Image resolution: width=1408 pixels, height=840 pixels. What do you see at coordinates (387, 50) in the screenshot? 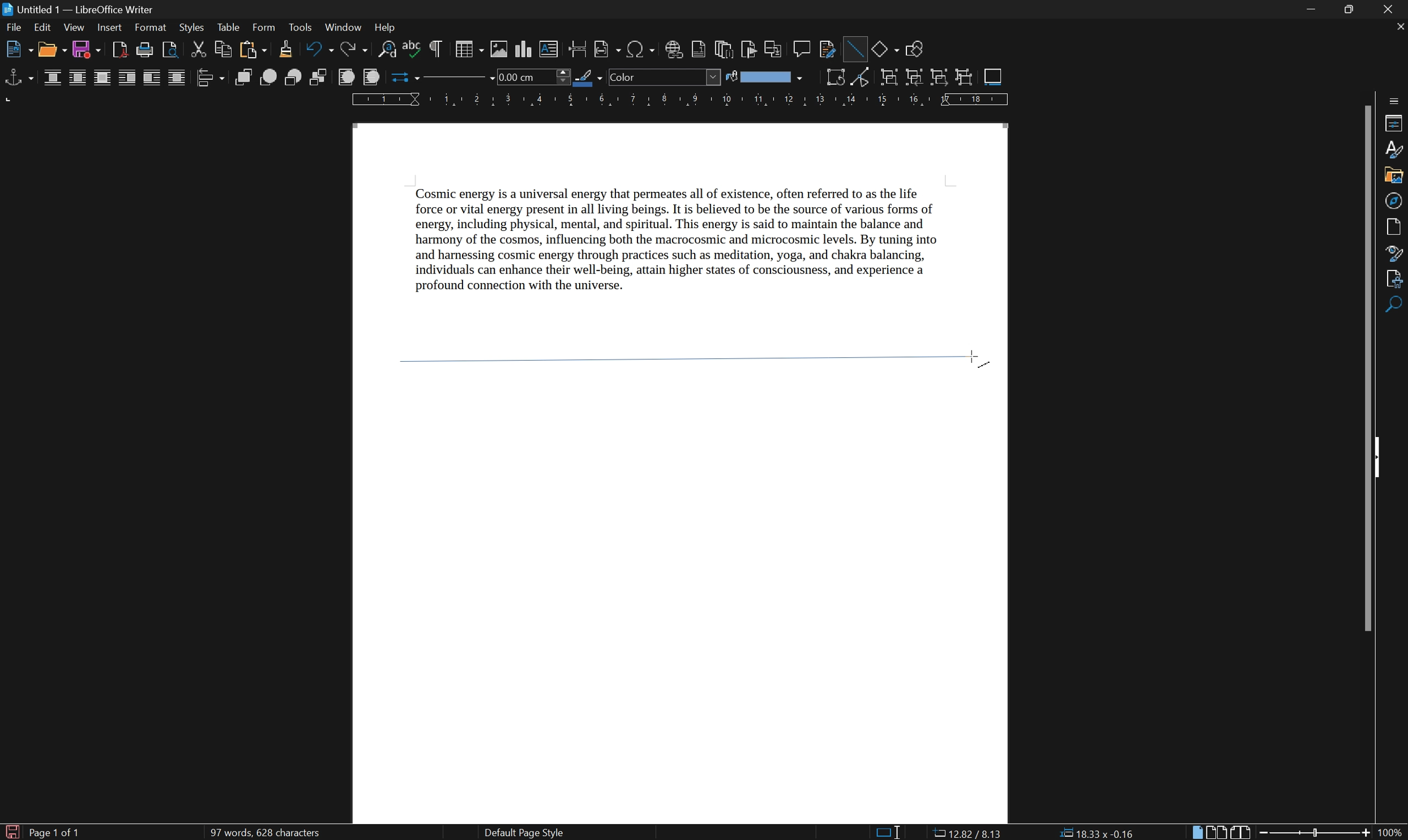
I see `find and replace` at bounding box center [387, 50].